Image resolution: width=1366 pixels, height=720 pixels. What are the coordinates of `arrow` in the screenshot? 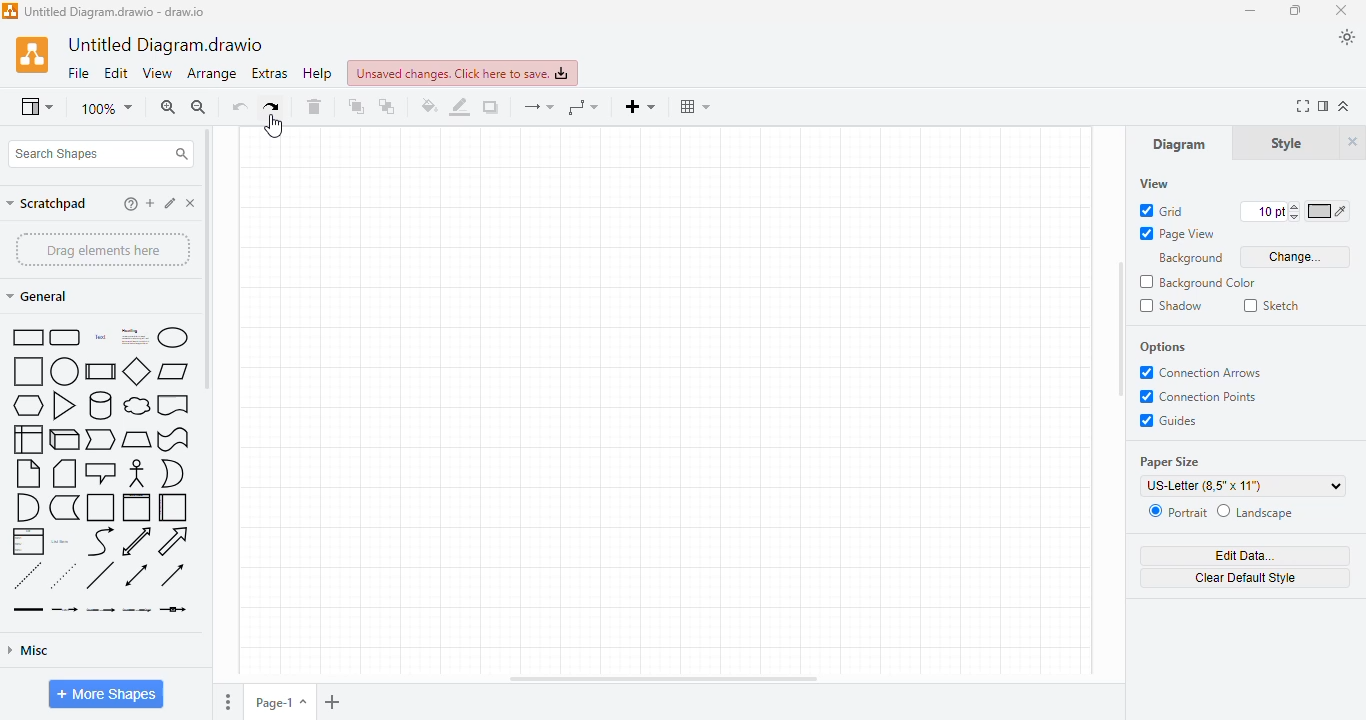 It's located at (172, 541).